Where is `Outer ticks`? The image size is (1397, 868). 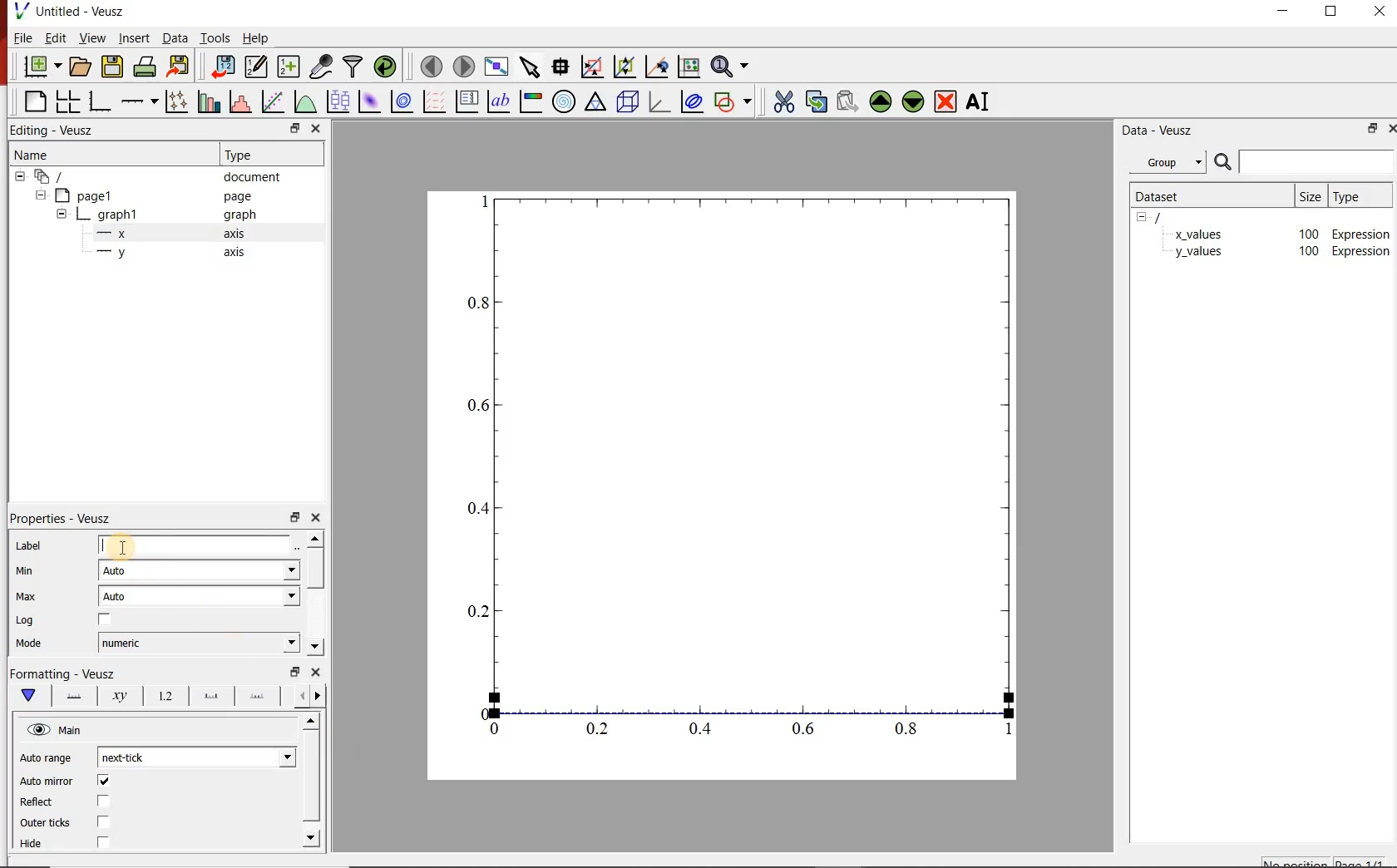 Outer ticks is located at coordinates (46, 823).